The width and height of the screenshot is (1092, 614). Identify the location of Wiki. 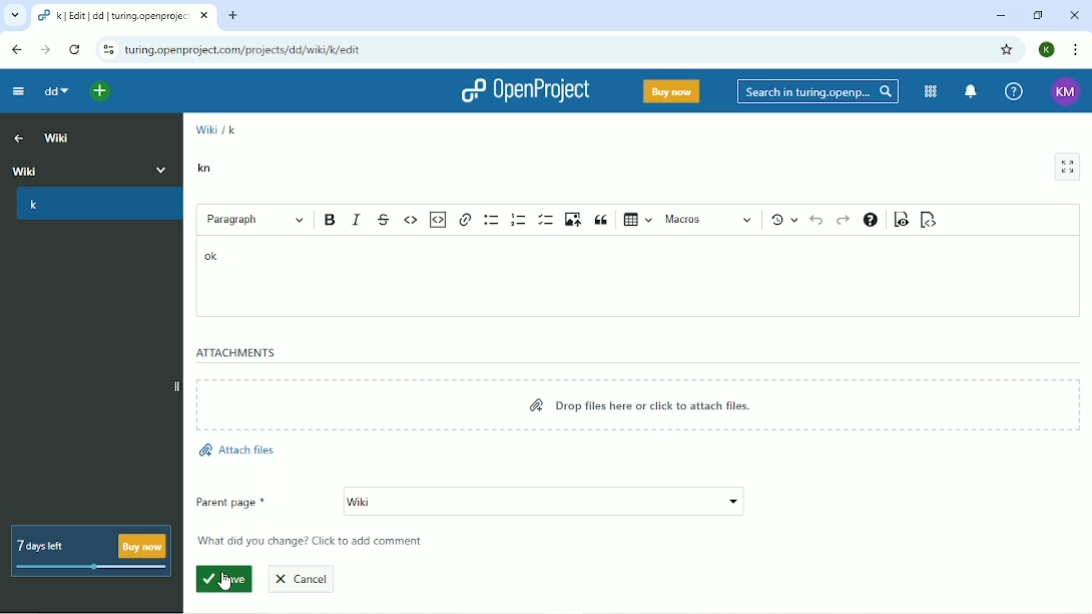
(543, 502).